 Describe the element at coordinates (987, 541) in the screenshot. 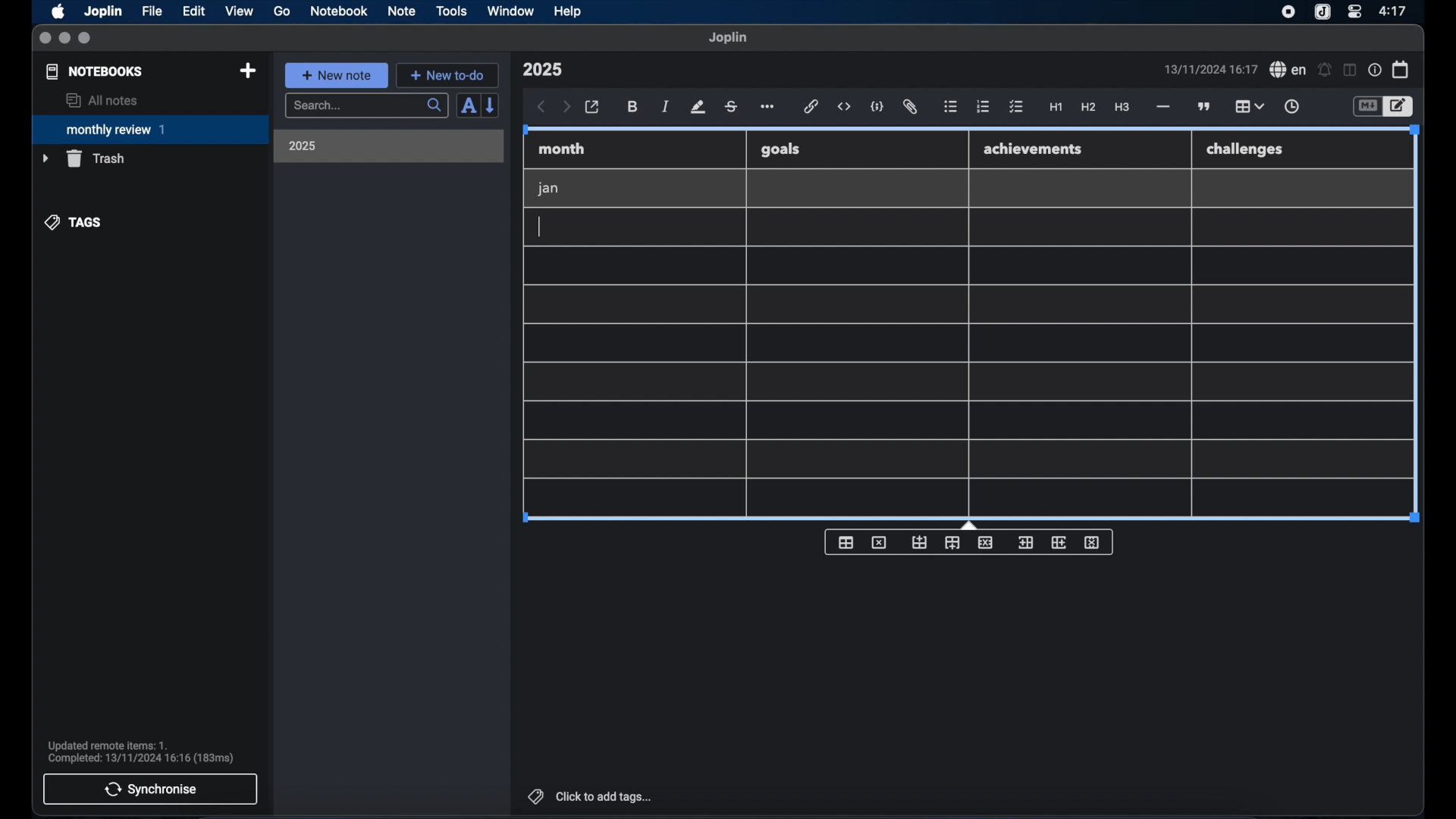

I see `delete row` at that location.